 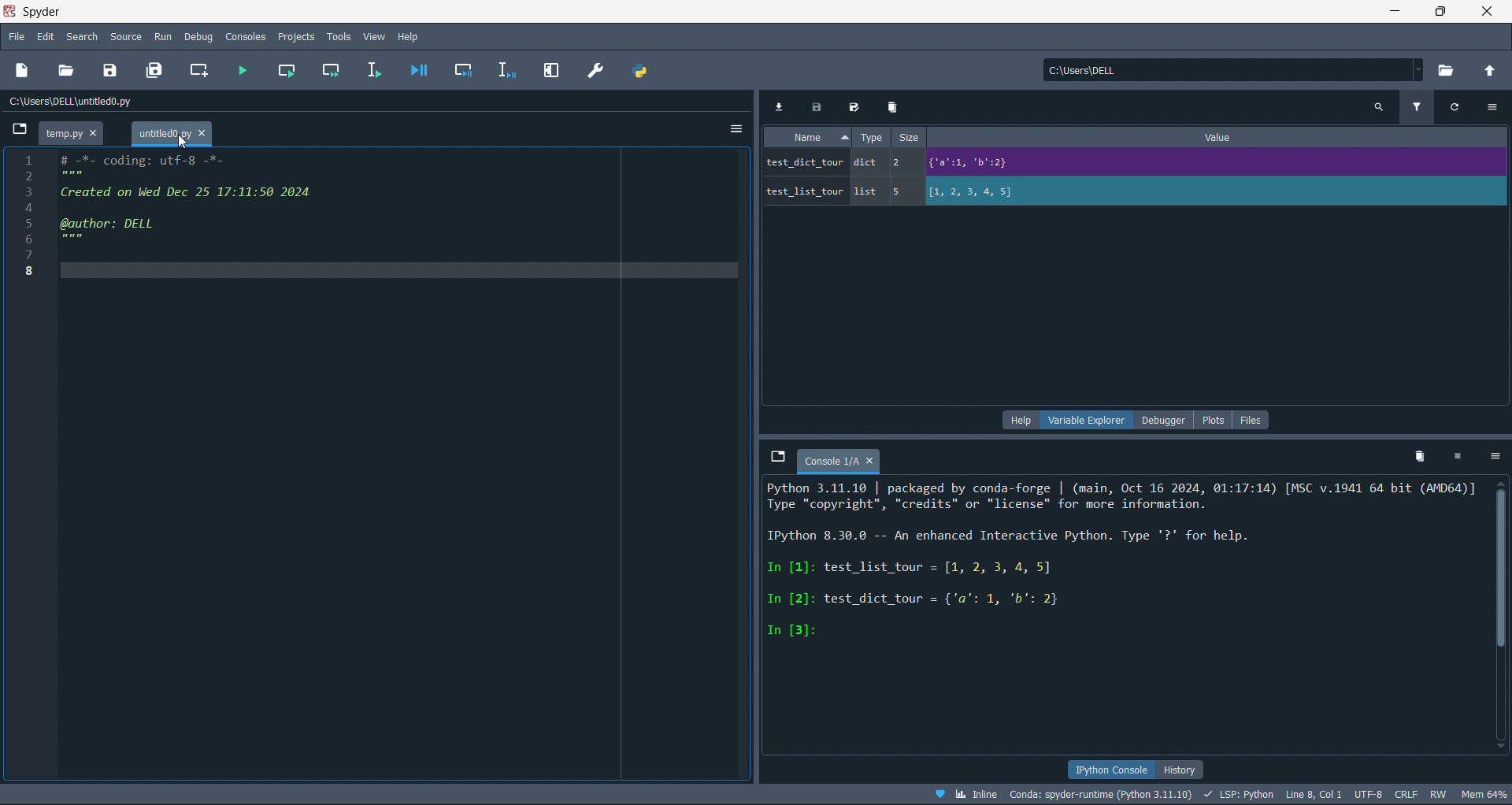 I want to click on minimiize, so click(x=1392, y=12).